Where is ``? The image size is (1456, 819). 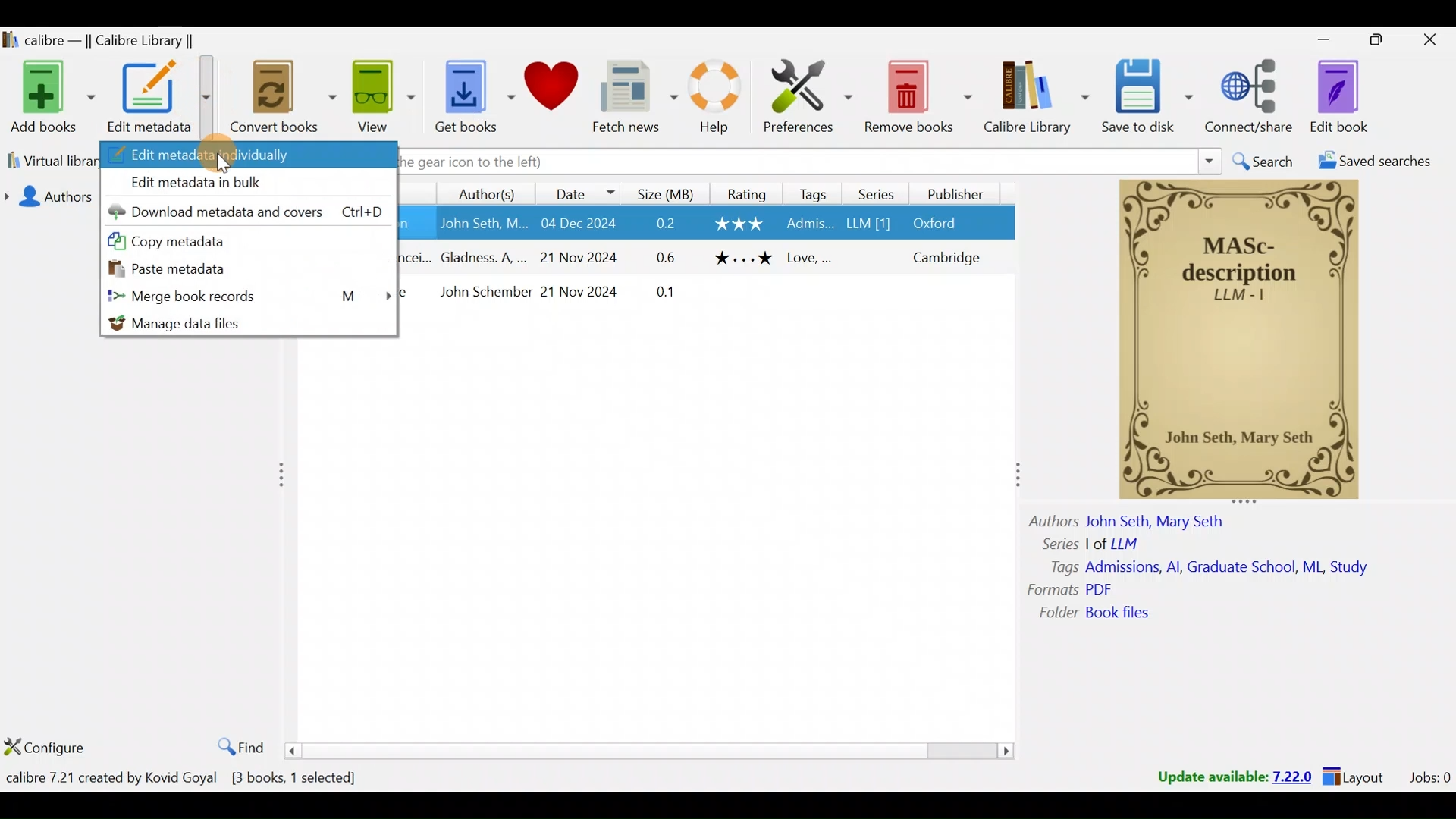
 is located at coordinates (1053, 522).